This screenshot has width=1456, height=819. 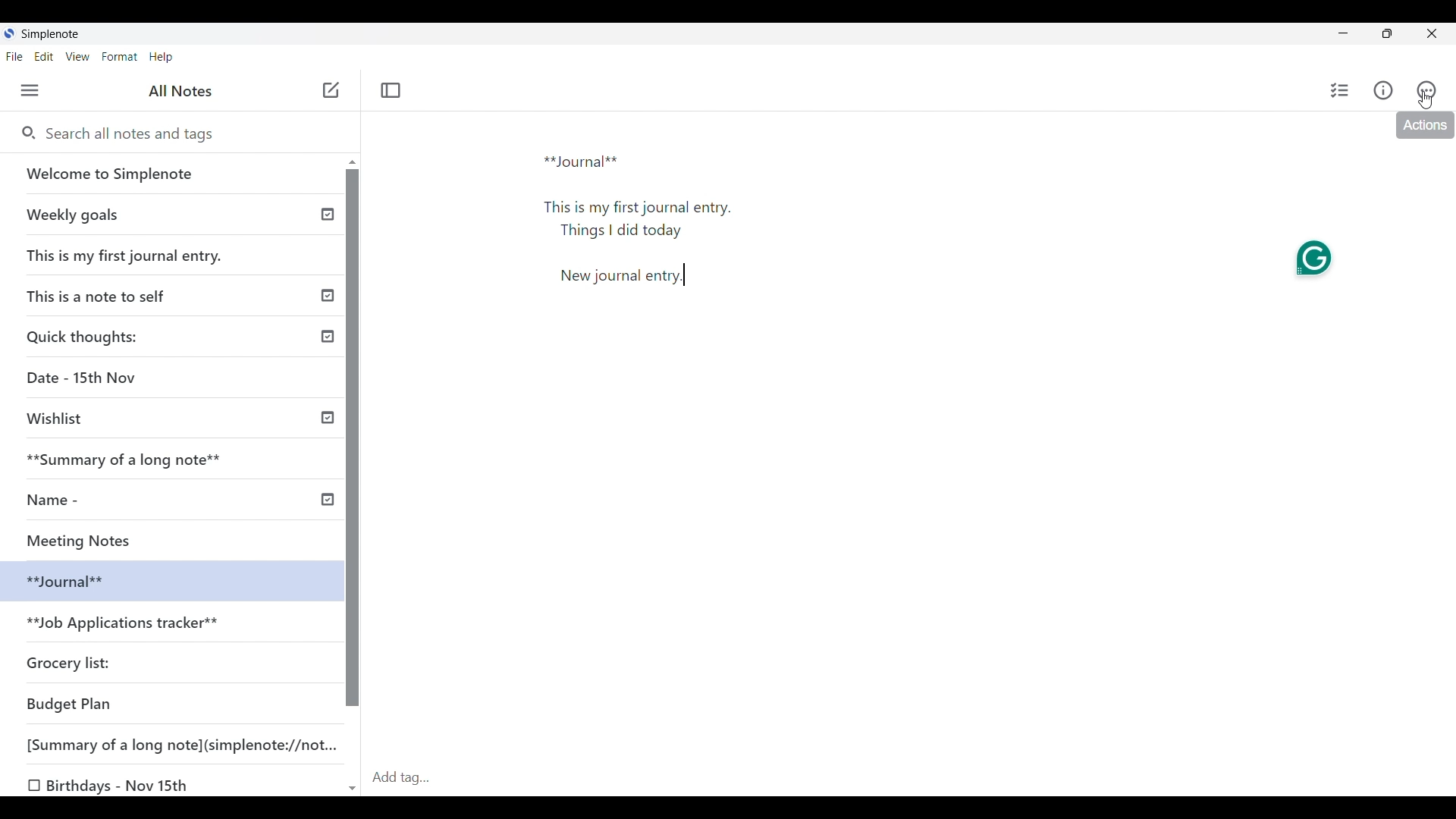 I want to click on Click to type in tags, so click(x=911, y=779).